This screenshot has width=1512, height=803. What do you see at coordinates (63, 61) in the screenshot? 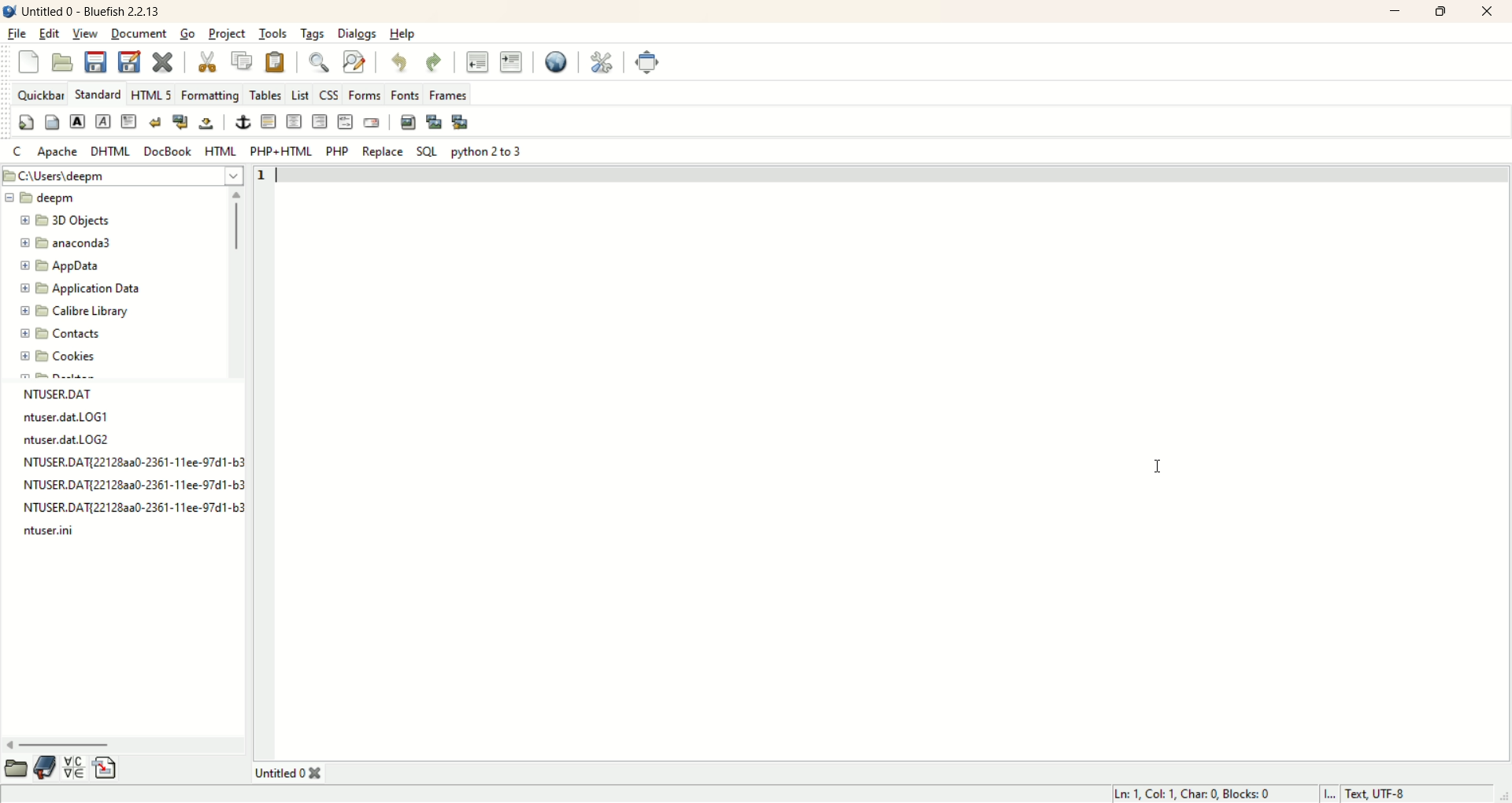
I see `open file` at bounding box center [63, 61].